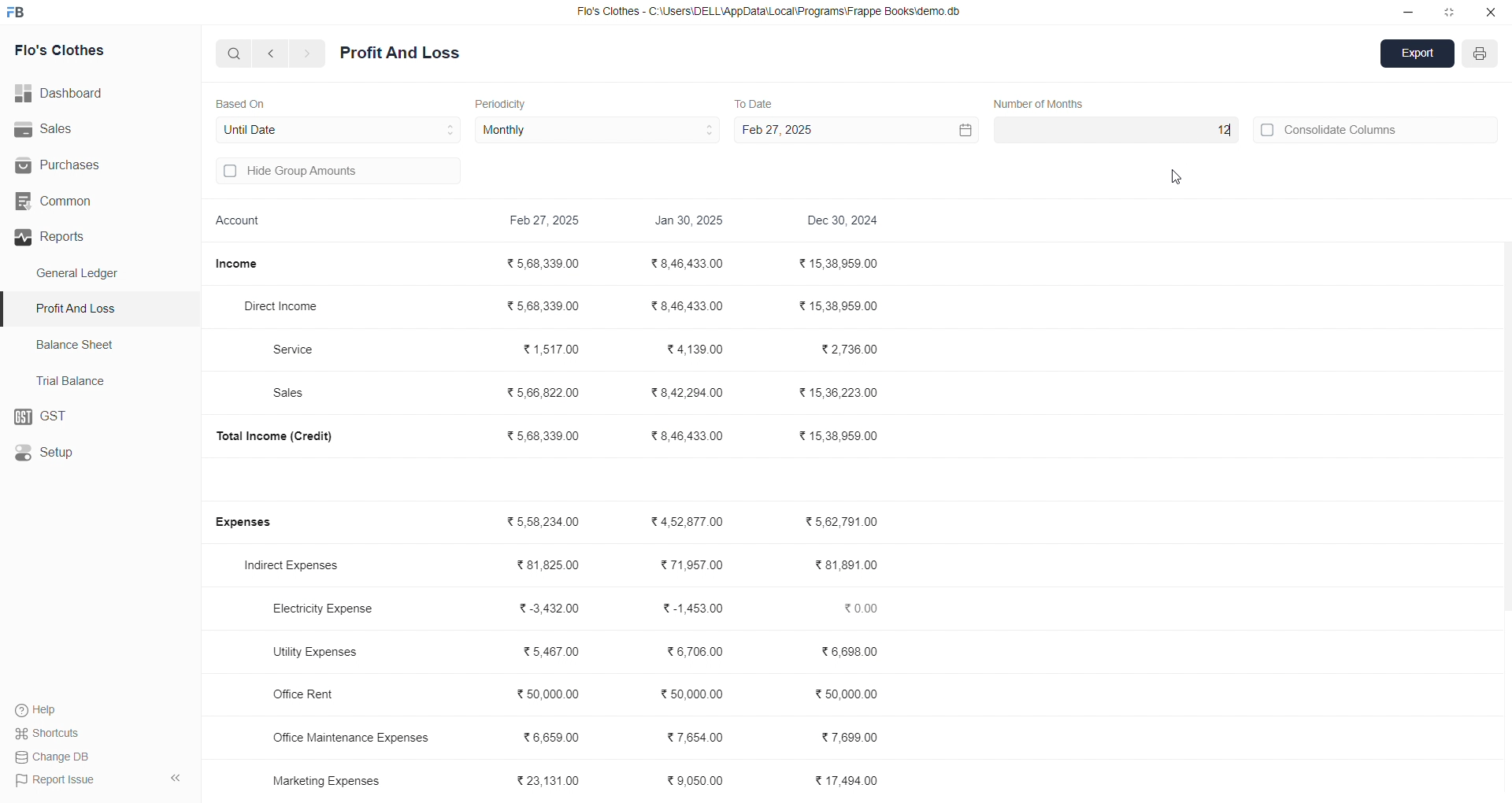 Image resolution: width=1512 pixels, height=803 pixels. What do you see at coordinates (235, 53) in the screenshot?
I see `search` at bounding box center [235, 53].